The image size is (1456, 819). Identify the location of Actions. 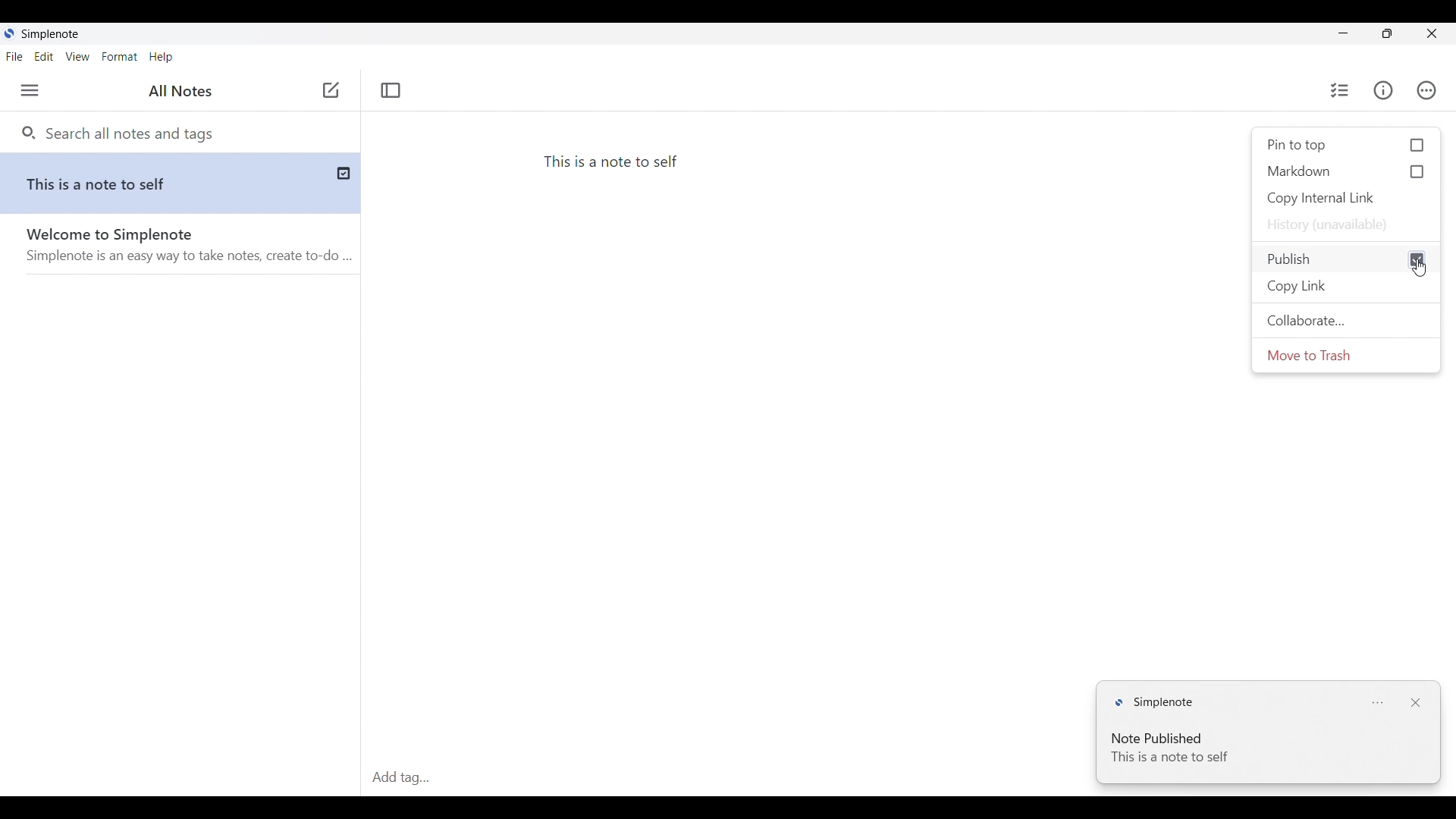
(1426, 90).